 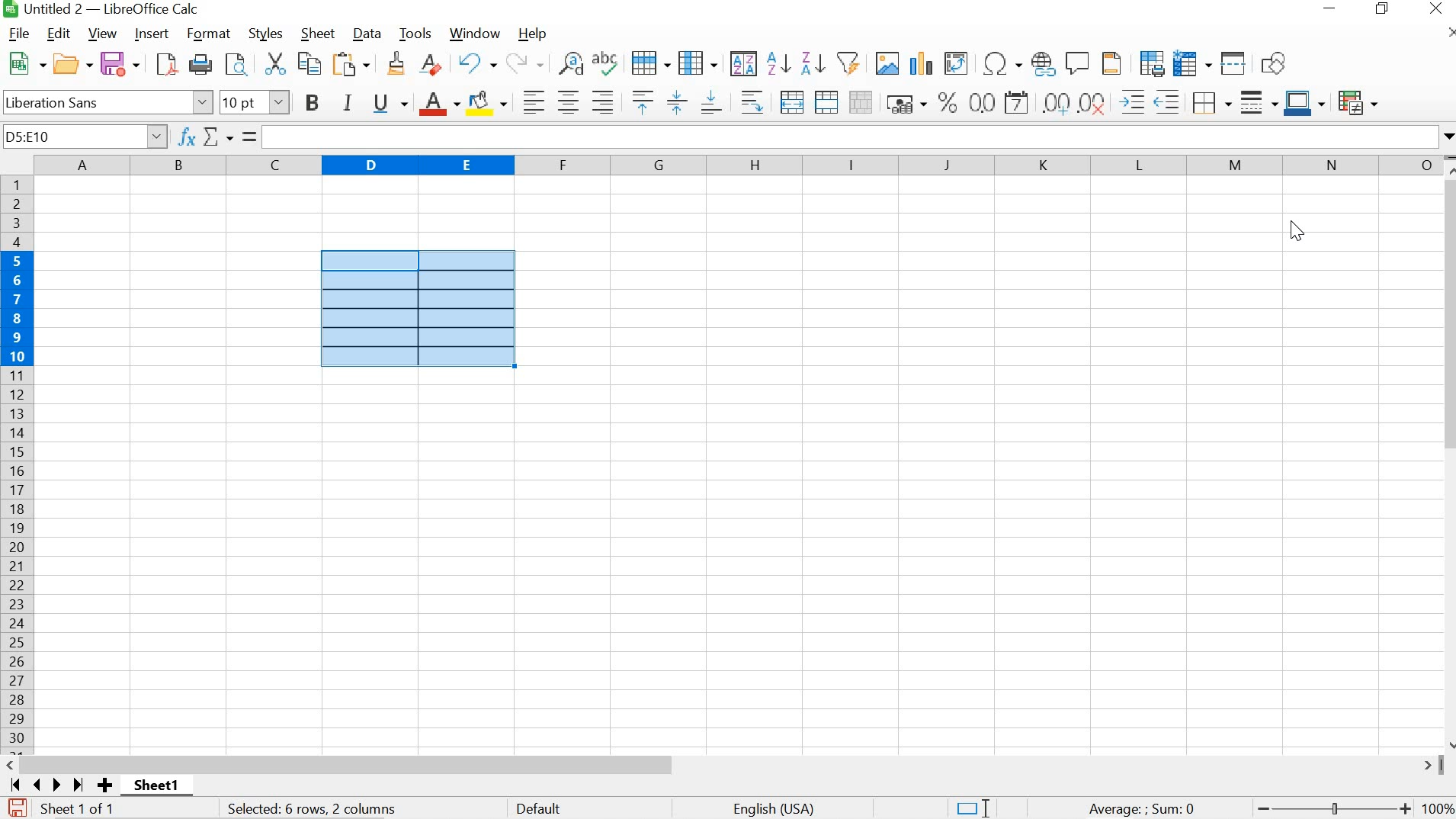 What do you see at coordinates (906, 104) in the screenshot?
I see `FORMAT AS CURRENCY` at bounding box center [906, 104].